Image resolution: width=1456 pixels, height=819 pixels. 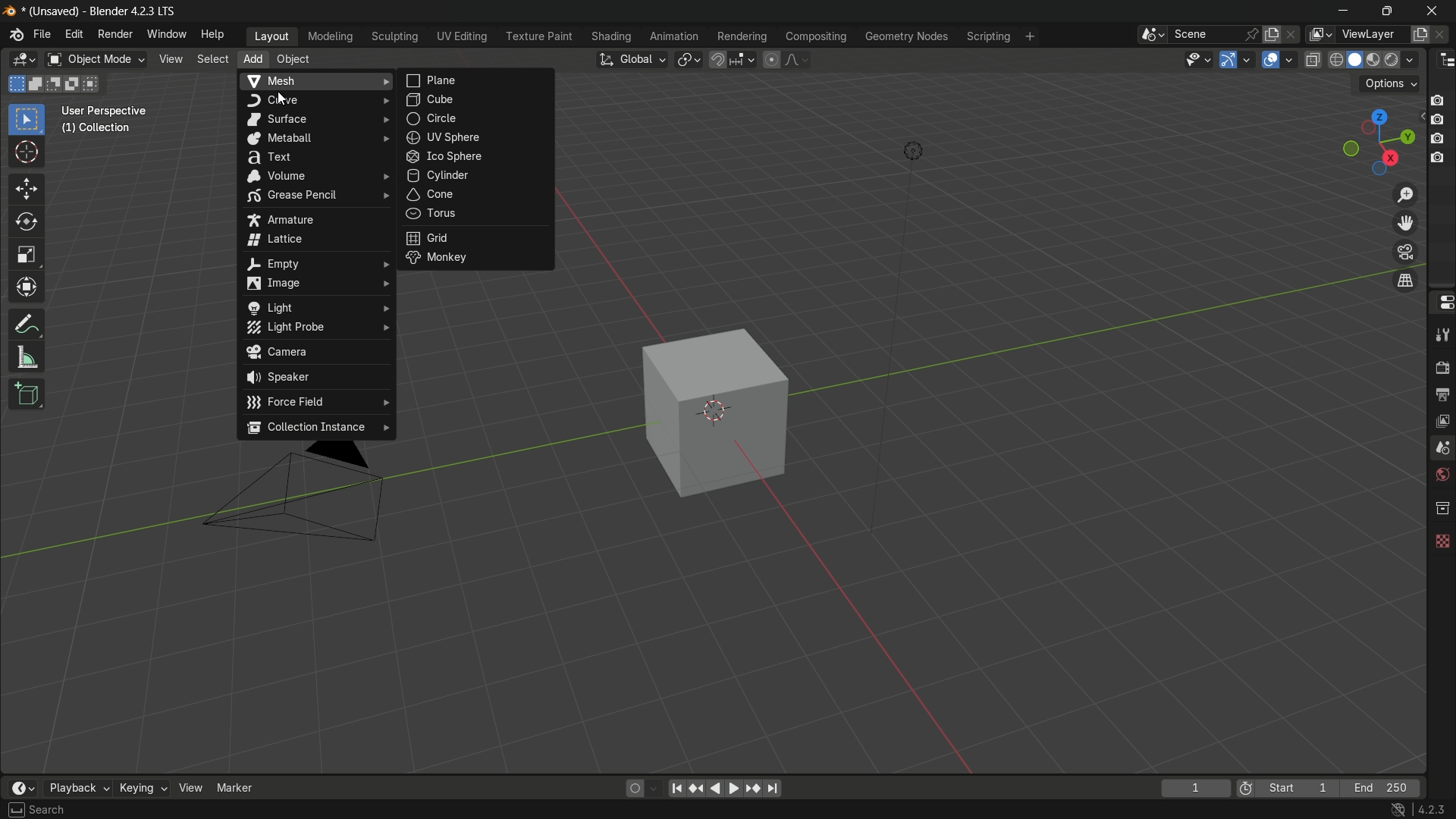 What do you see at coordinates (771, 60) in the screenshot?
I see `proportional editing object` at bounding box center [771, 60].